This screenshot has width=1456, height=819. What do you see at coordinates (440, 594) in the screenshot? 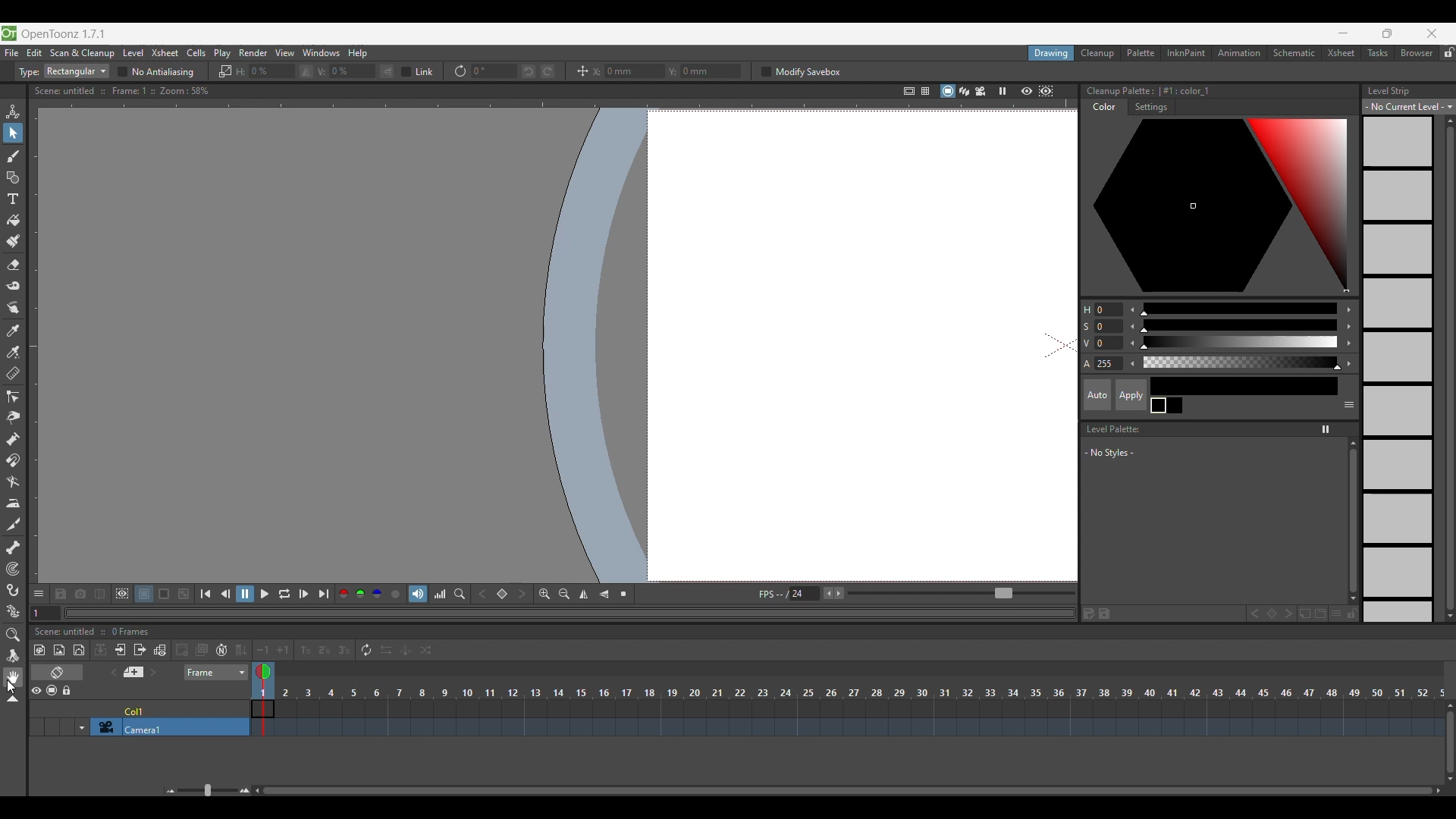
I see `Histogram` at bounding box center [440, 594].